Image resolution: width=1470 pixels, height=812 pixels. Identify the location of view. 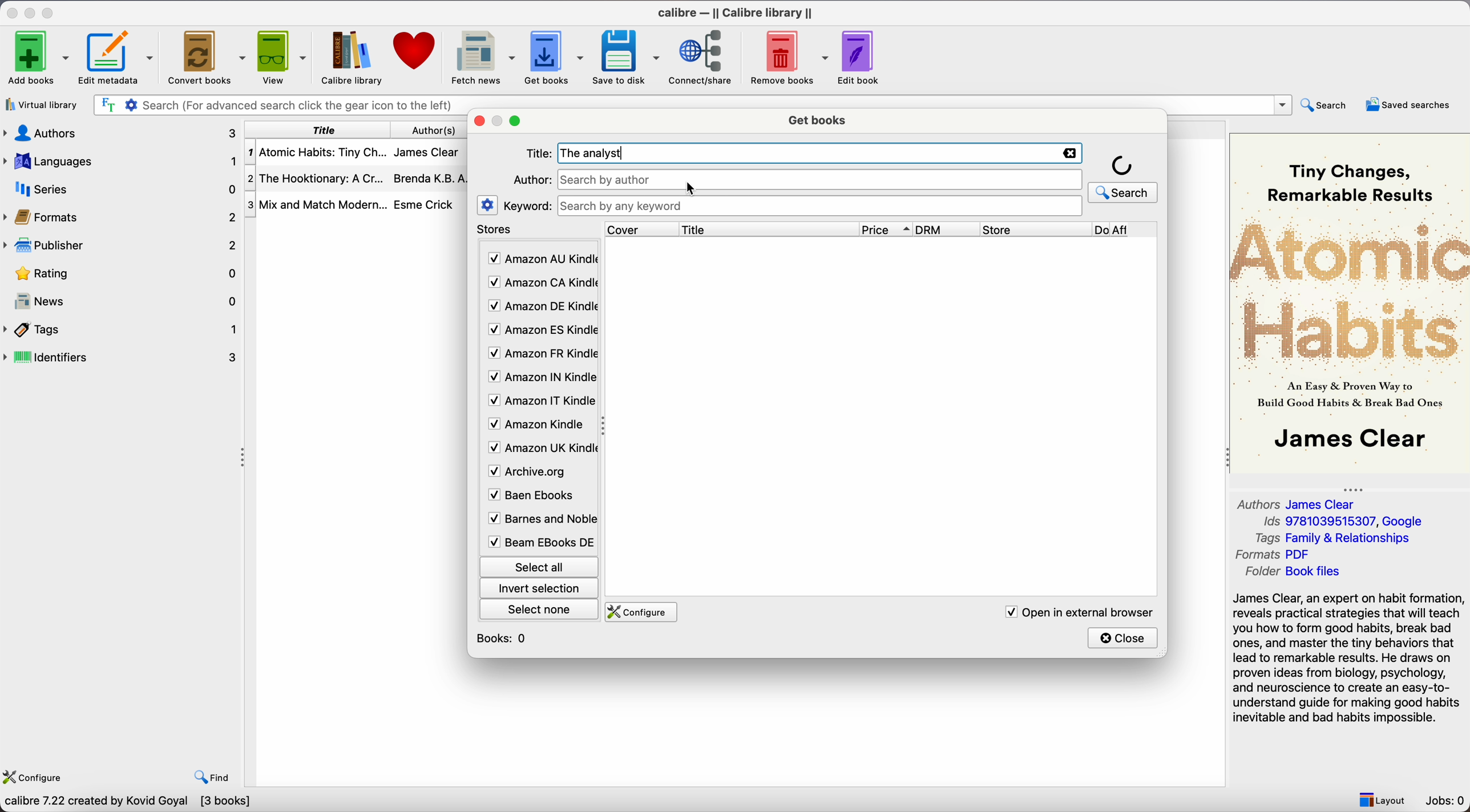
(281, 57).